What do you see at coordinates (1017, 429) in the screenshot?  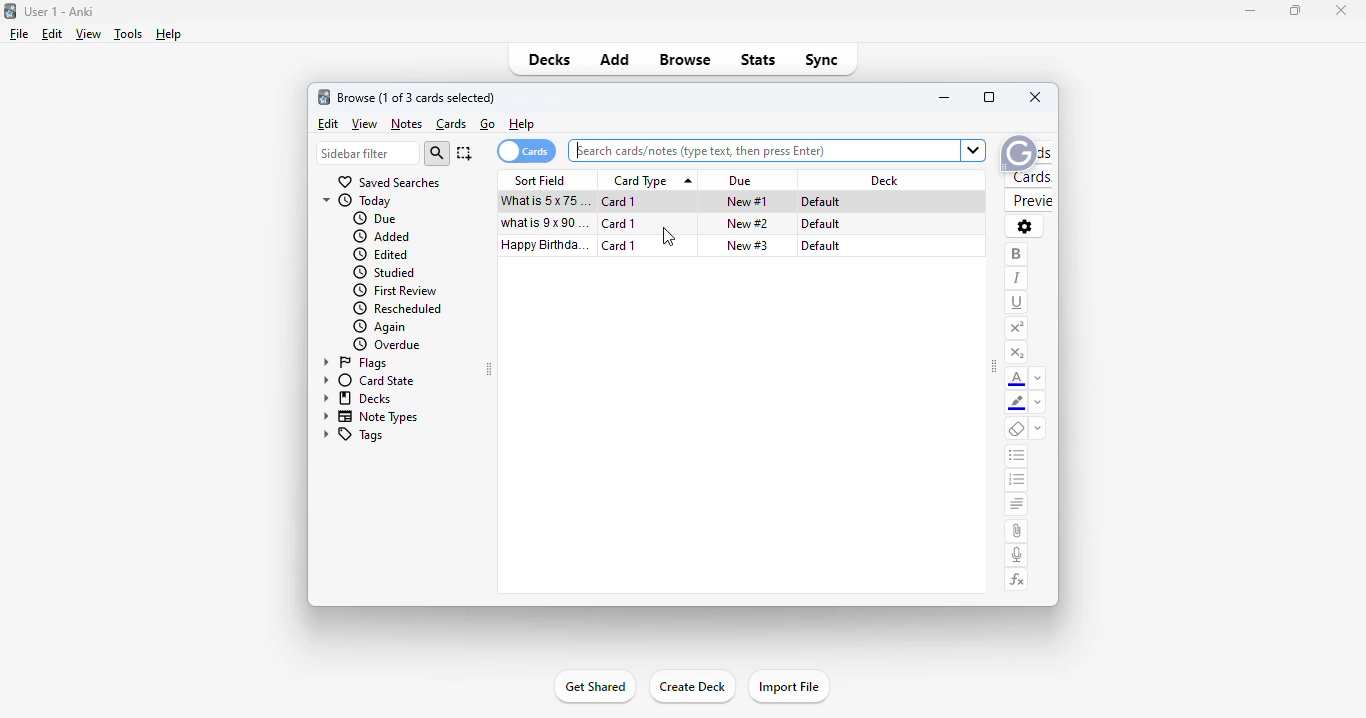 I see `remove formatting` at bounding box center [1017, 429].